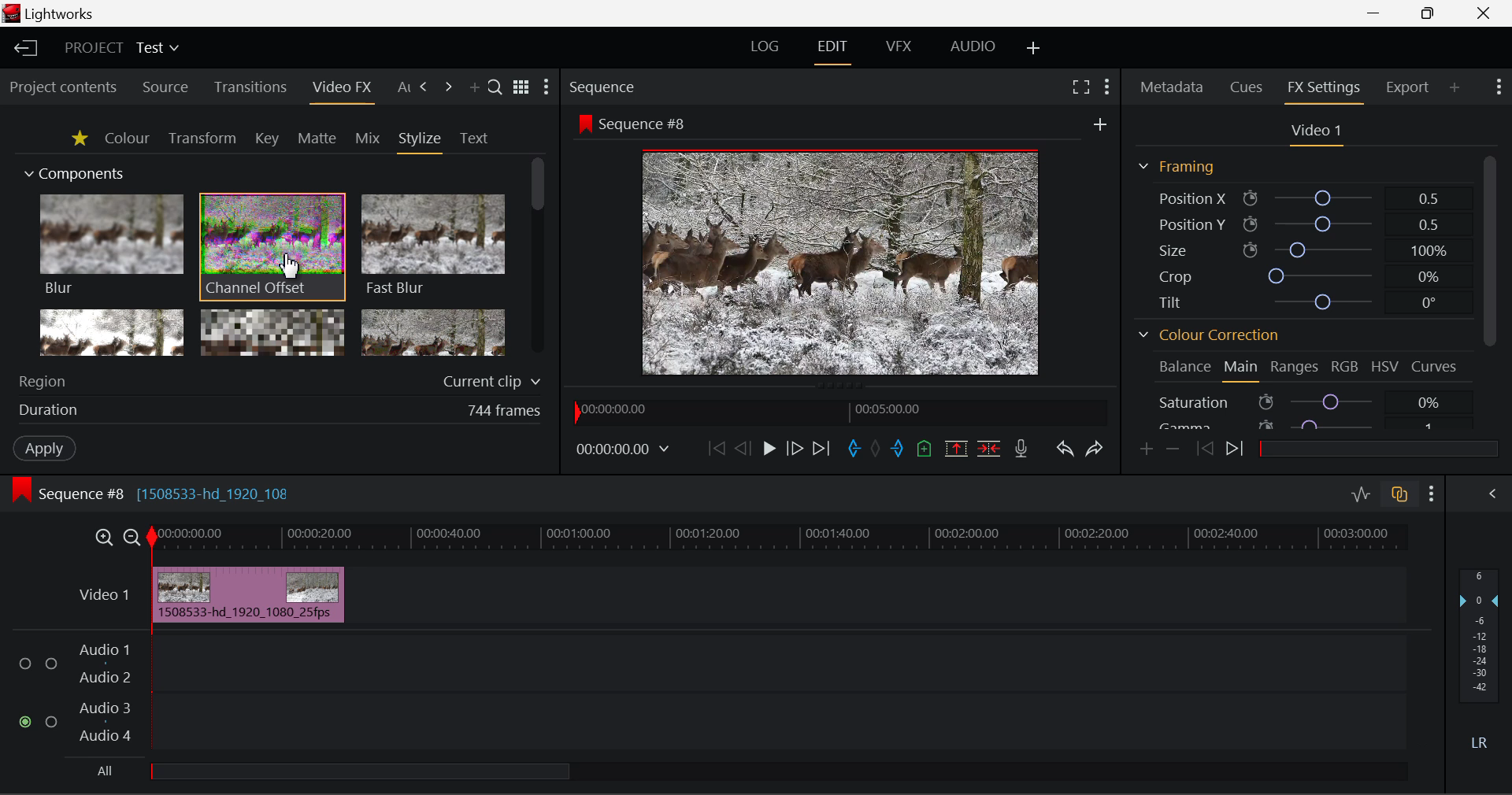  What do you see at coordinates (283, 379) in the screenshot?
I see `Region` at bounding box center [283, 379].